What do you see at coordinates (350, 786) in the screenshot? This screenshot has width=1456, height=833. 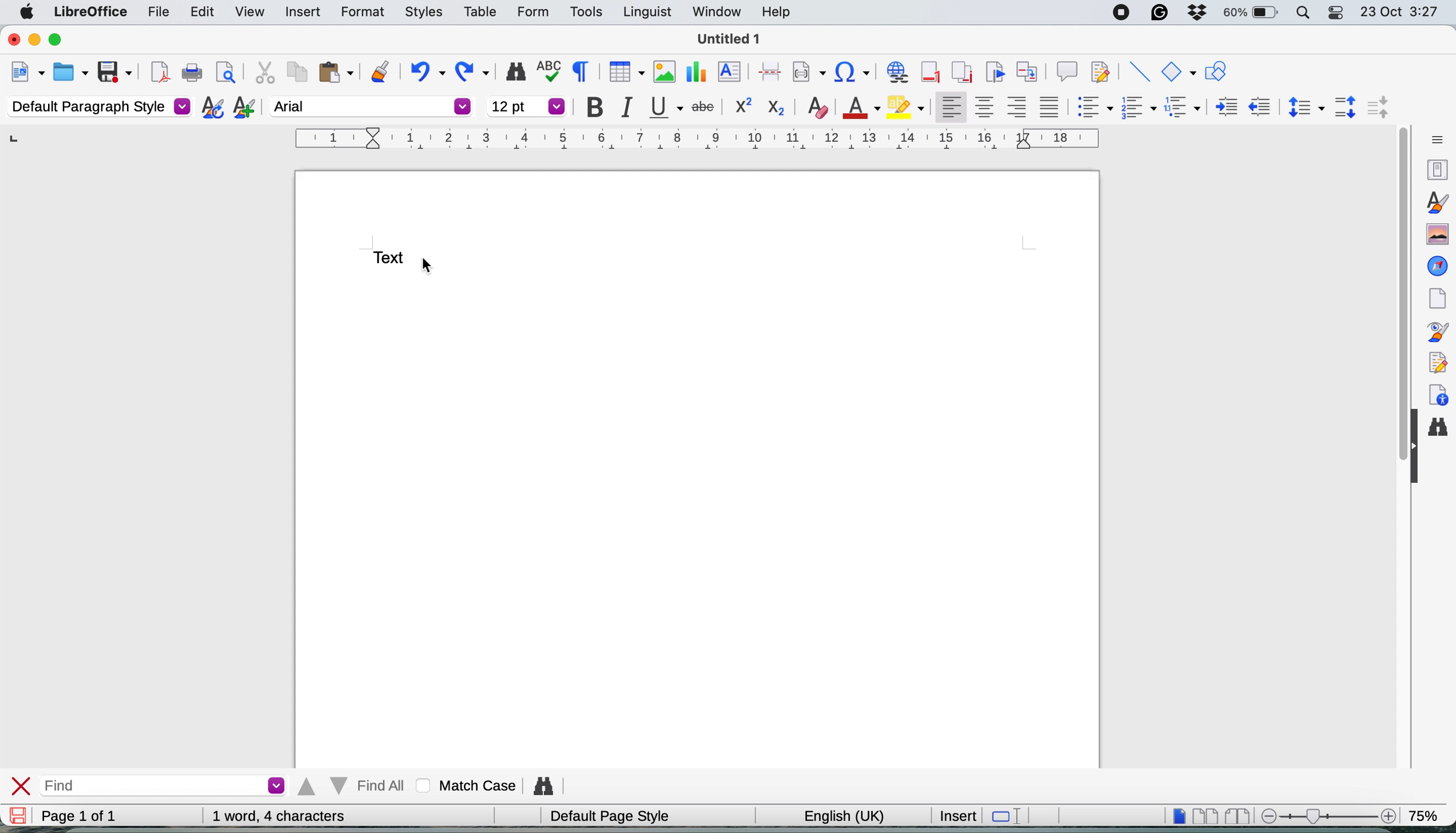 I see `find all` at bounding box center [350, 786].